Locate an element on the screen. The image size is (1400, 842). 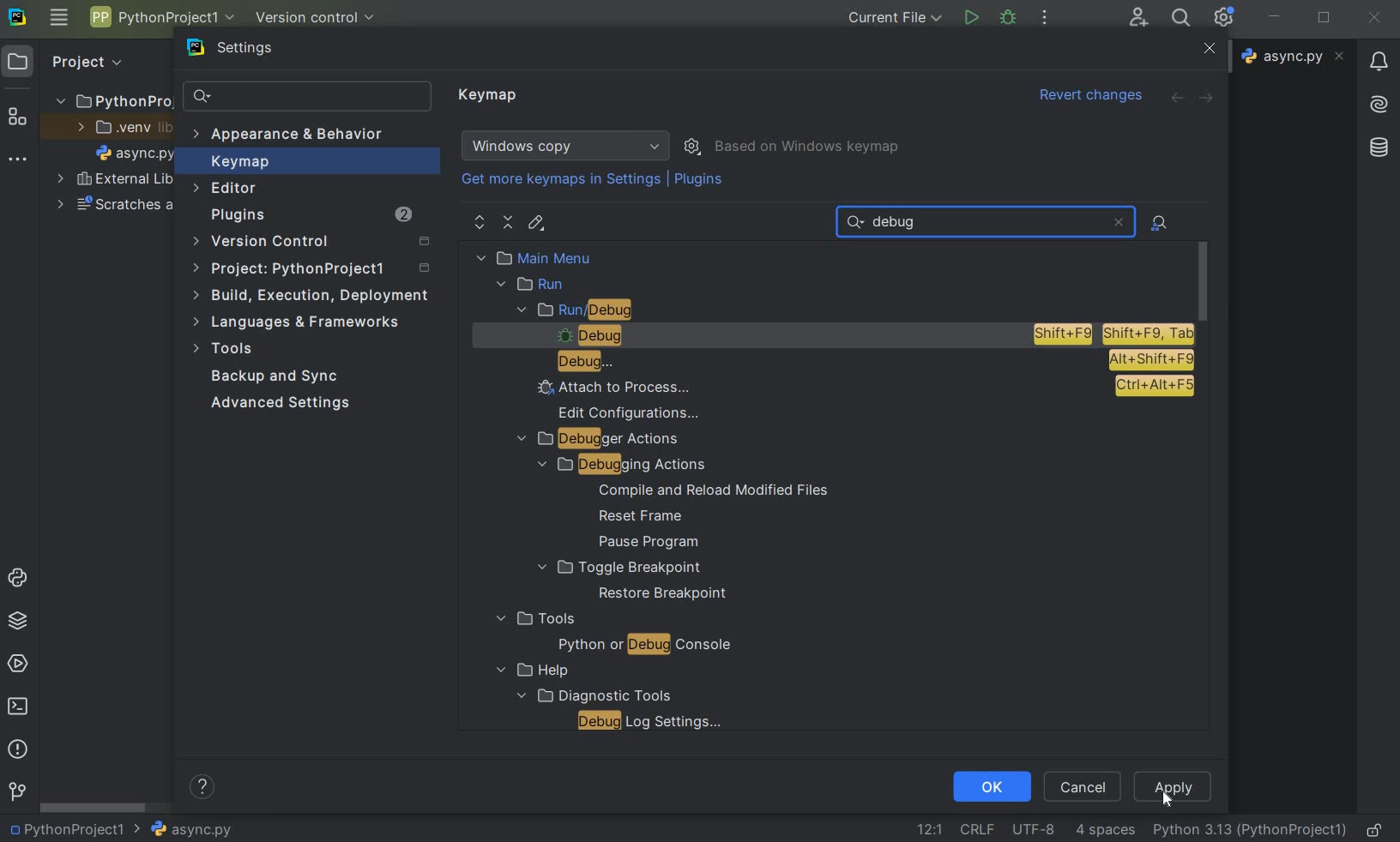
toggle breakpoint is located at coordinates (619, 568).